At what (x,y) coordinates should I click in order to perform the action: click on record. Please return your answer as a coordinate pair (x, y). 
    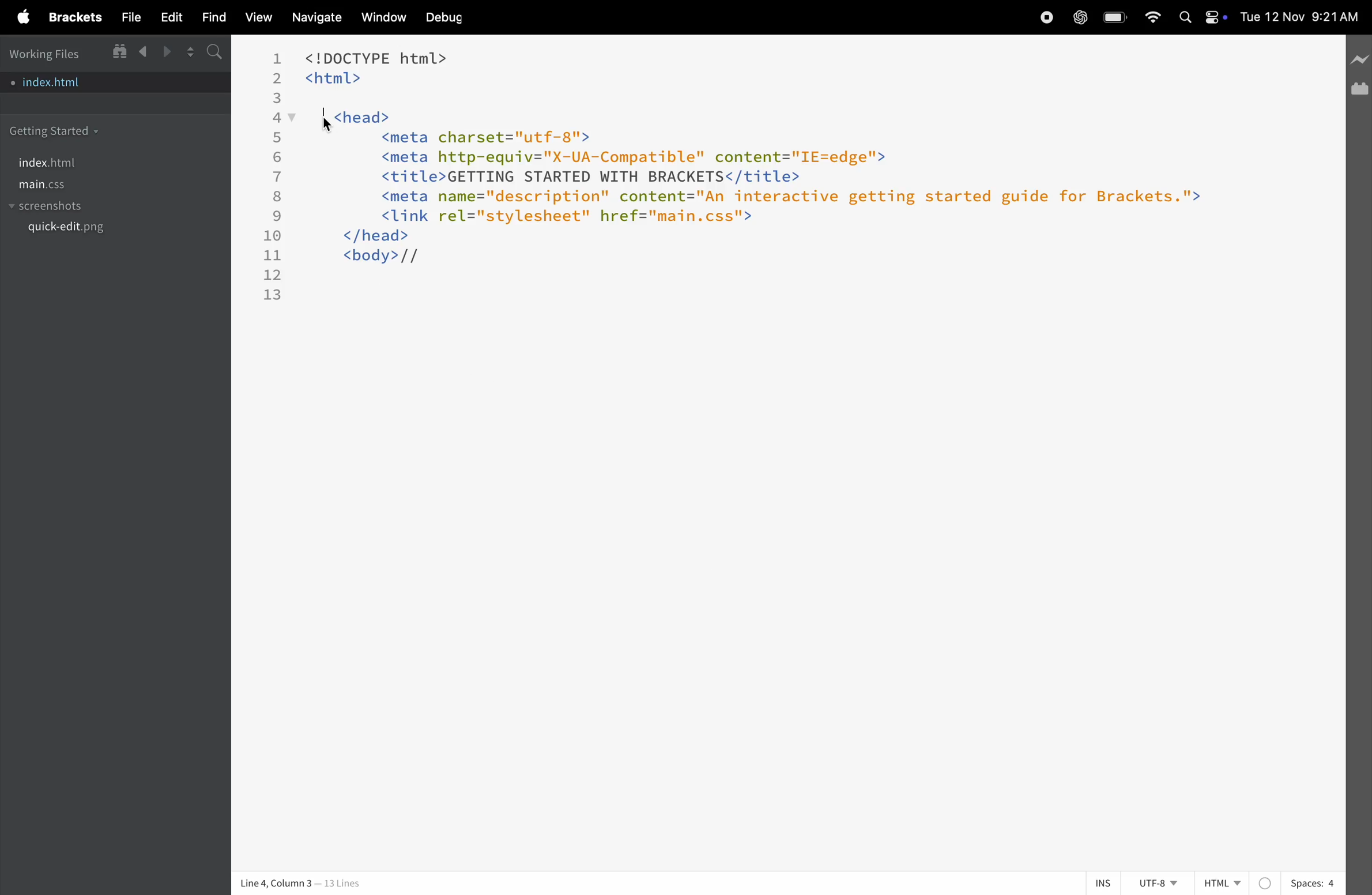
    Looking at the image, I should click on (1045, 17).